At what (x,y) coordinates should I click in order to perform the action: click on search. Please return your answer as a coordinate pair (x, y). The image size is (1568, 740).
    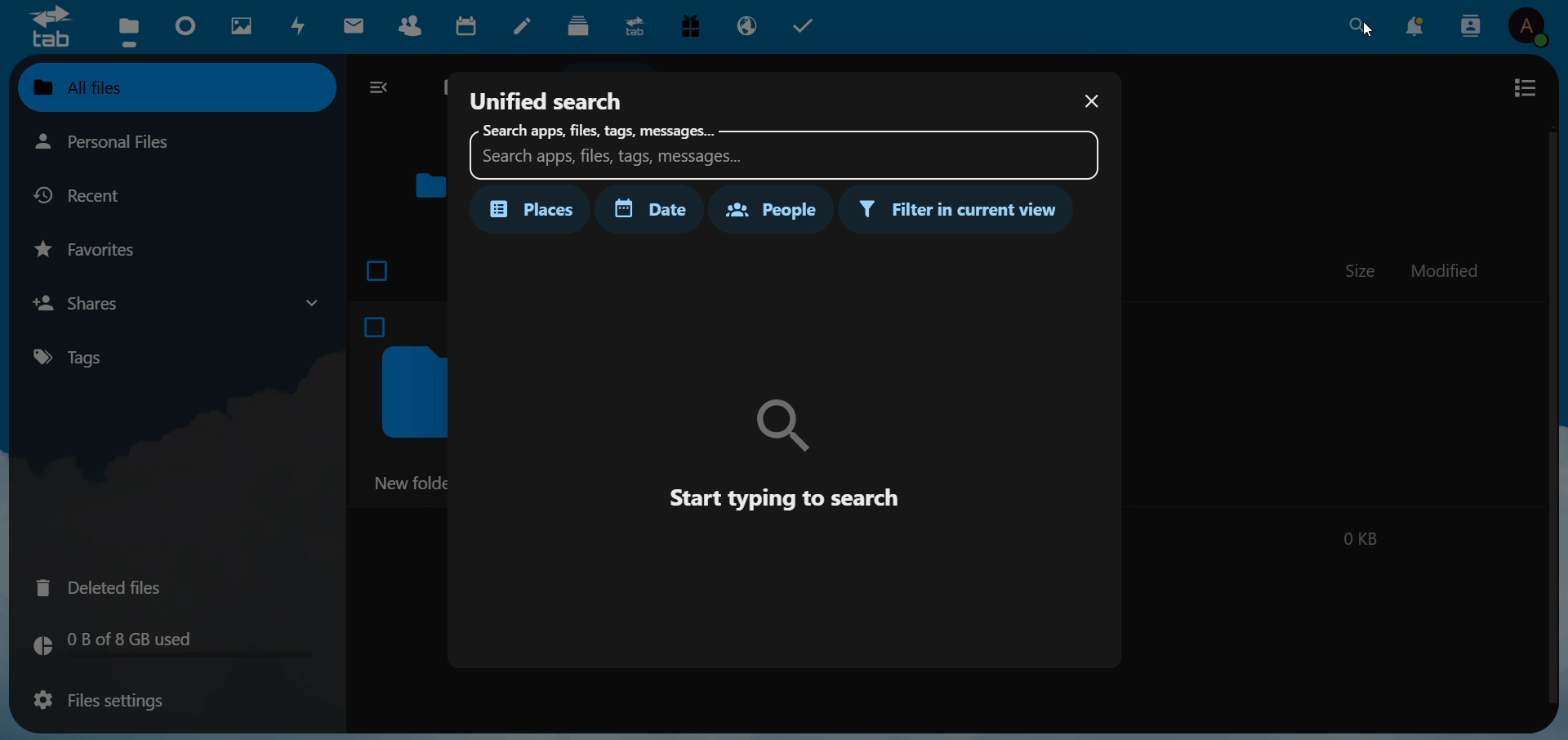
    Looking at the image, I should click on (785, 150).